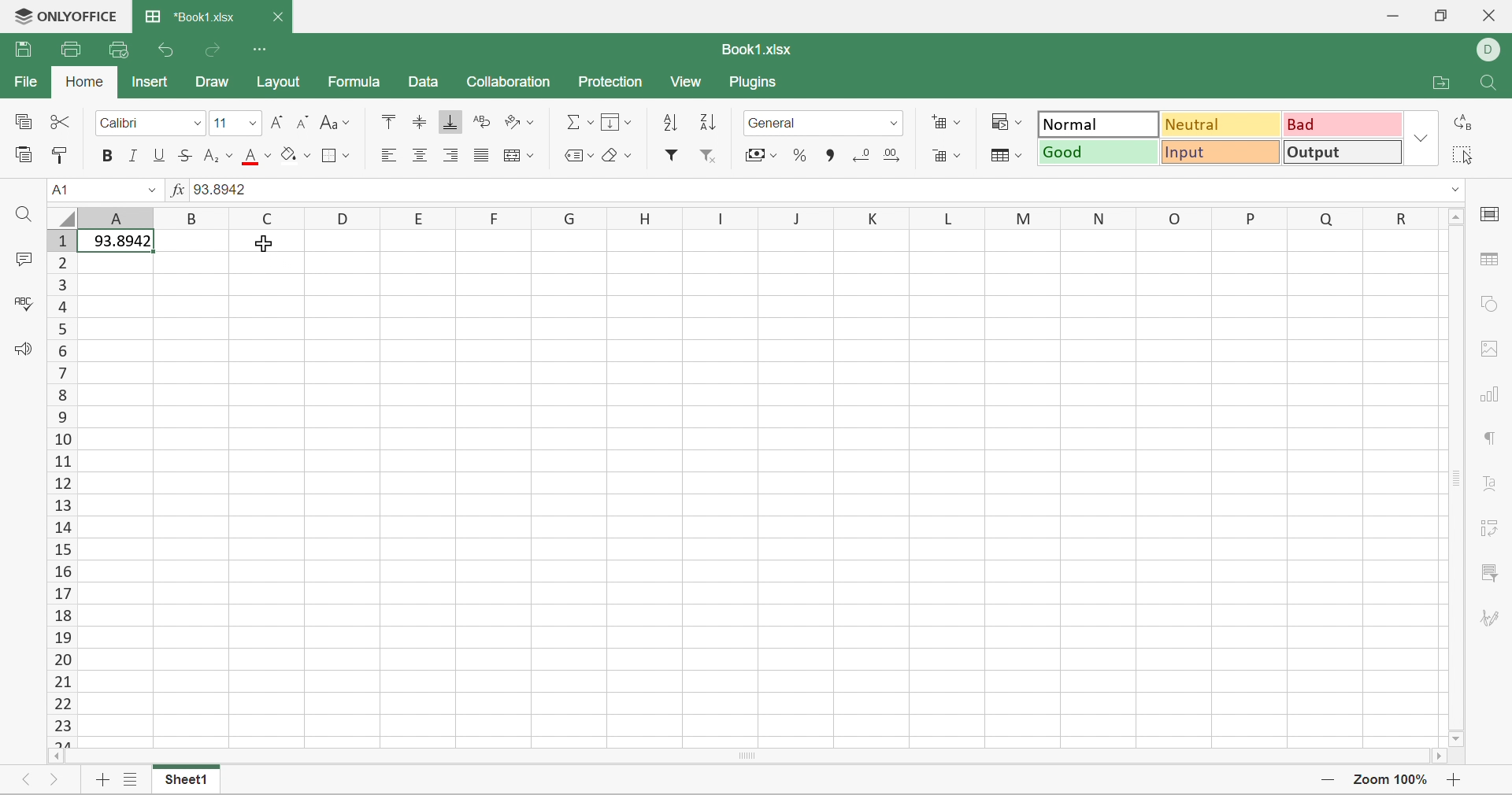  I want to click on Cursor, so click(258, 242).